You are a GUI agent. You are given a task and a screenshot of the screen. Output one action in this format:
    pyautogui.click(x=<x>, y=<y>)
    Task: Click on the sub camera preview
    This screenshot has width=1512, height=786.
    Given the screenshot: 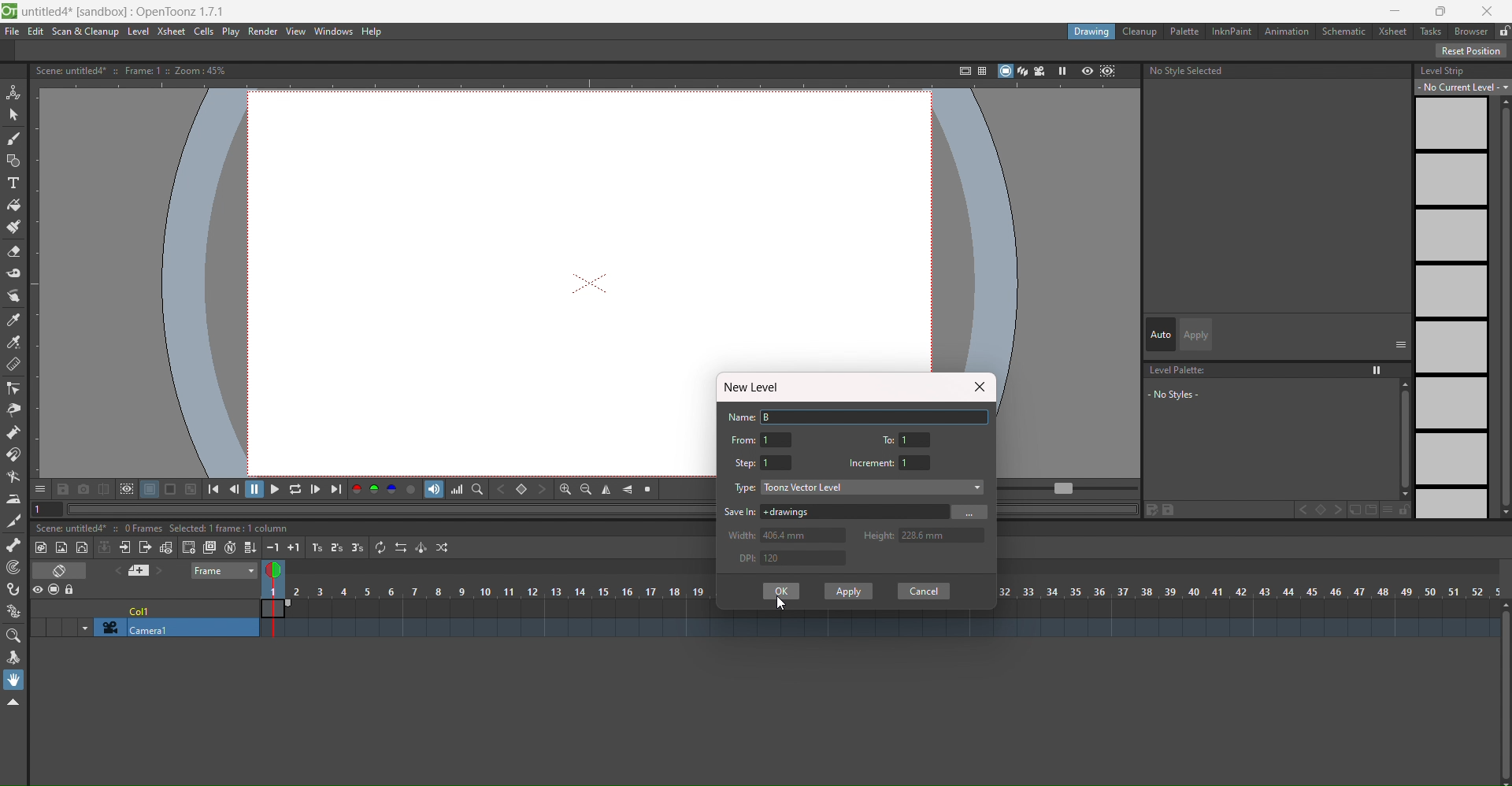 What is the action you would take?
    pyautogui.click(x=1109, y=72)
    